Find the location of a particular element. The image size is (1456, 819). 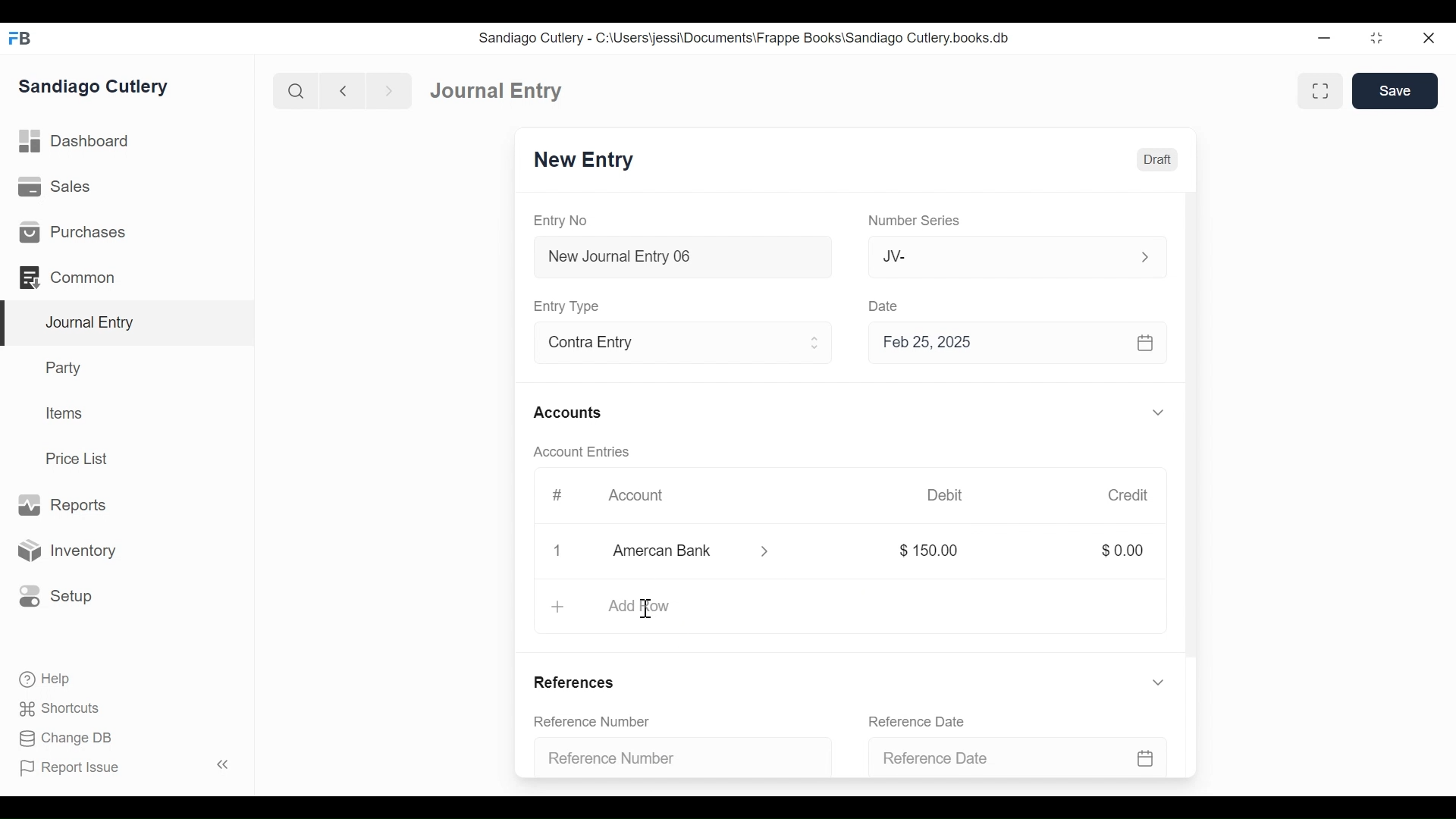

Journal Entry is located at coordinates (497, 89).